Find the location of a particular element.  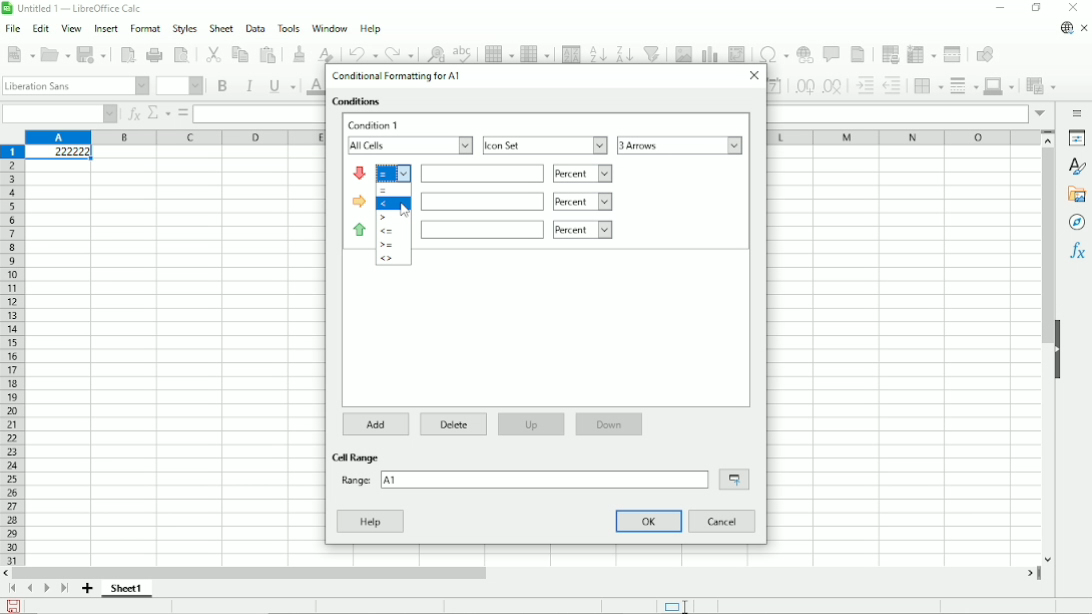

Row headings is located at coordinates (12, 355).